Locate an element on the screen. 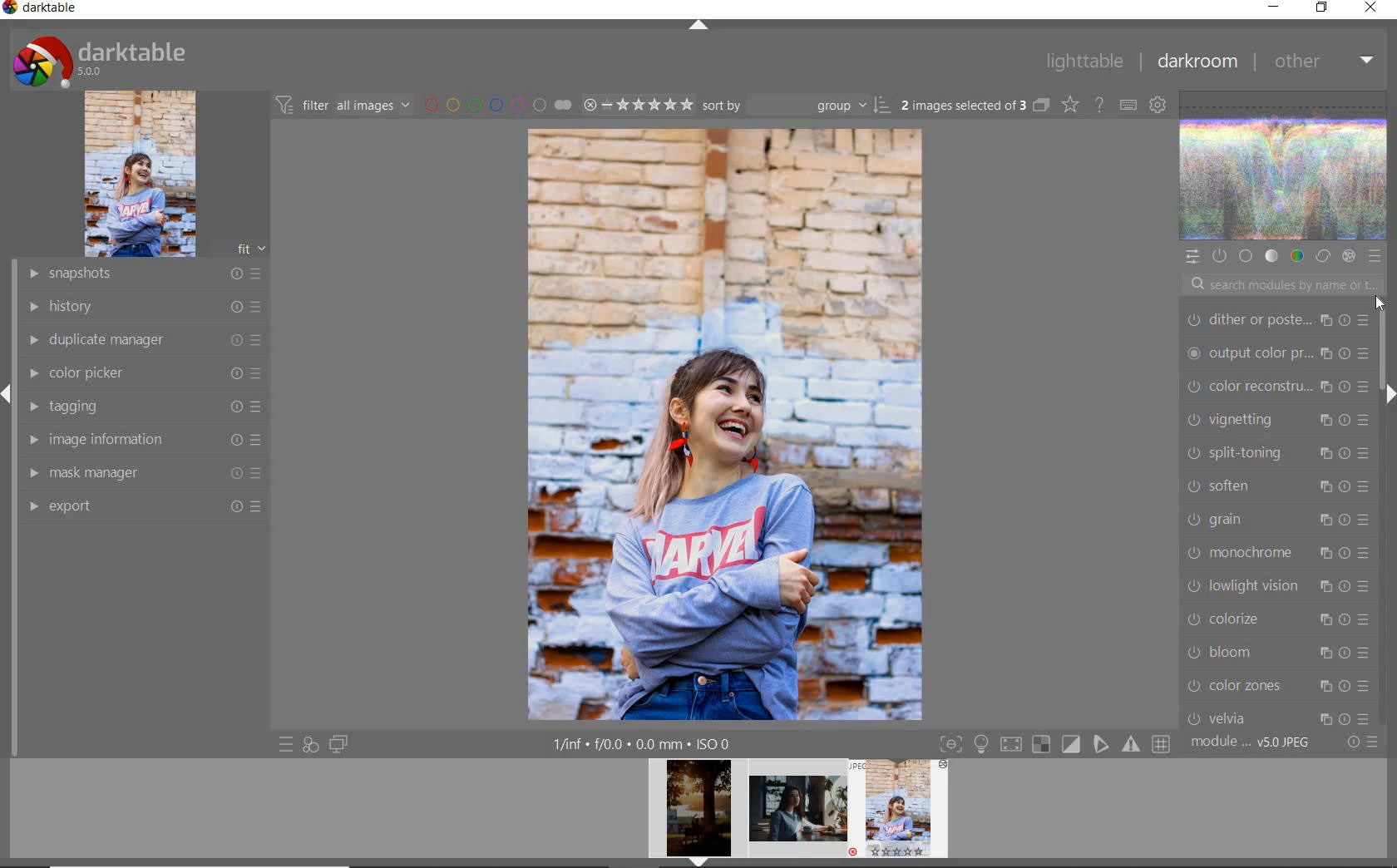 This screenshot has width=1397, height=868. image is located at coordinates (140, 174).